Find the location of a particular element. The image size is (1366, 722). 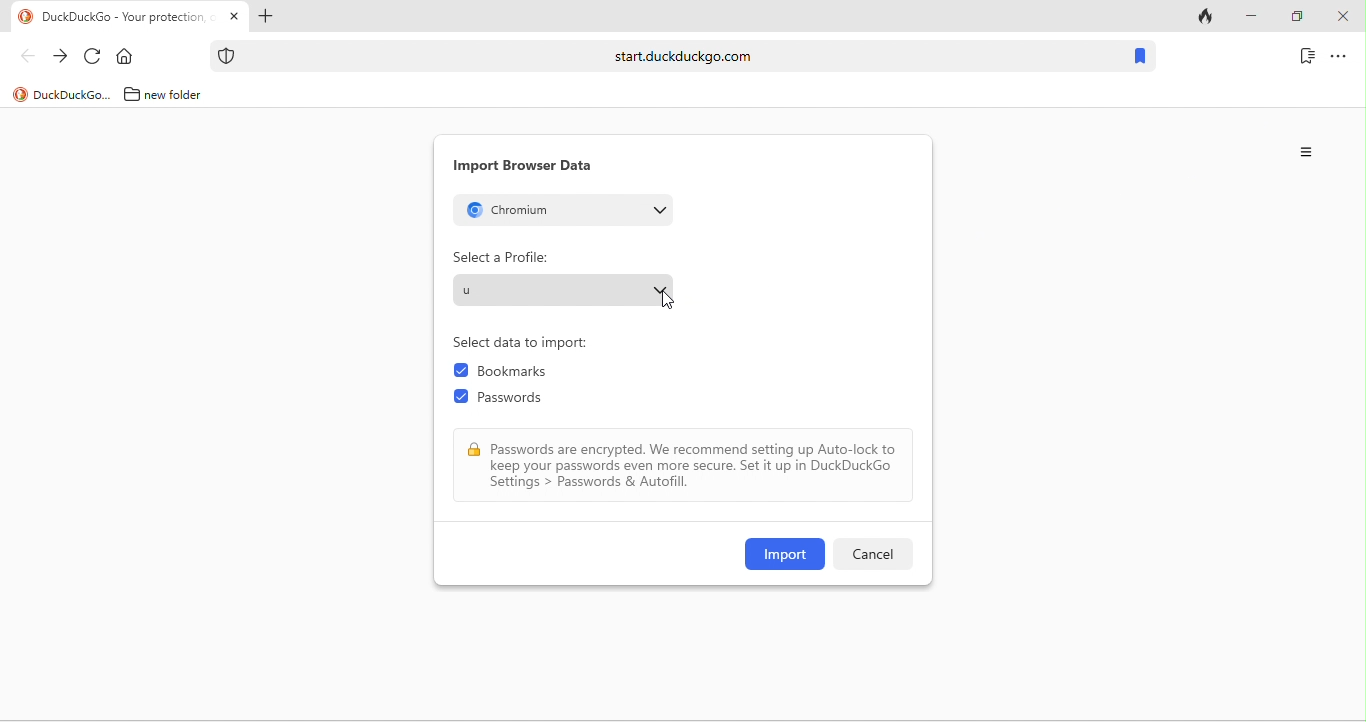

new folder is located at coordinates (181, 94).